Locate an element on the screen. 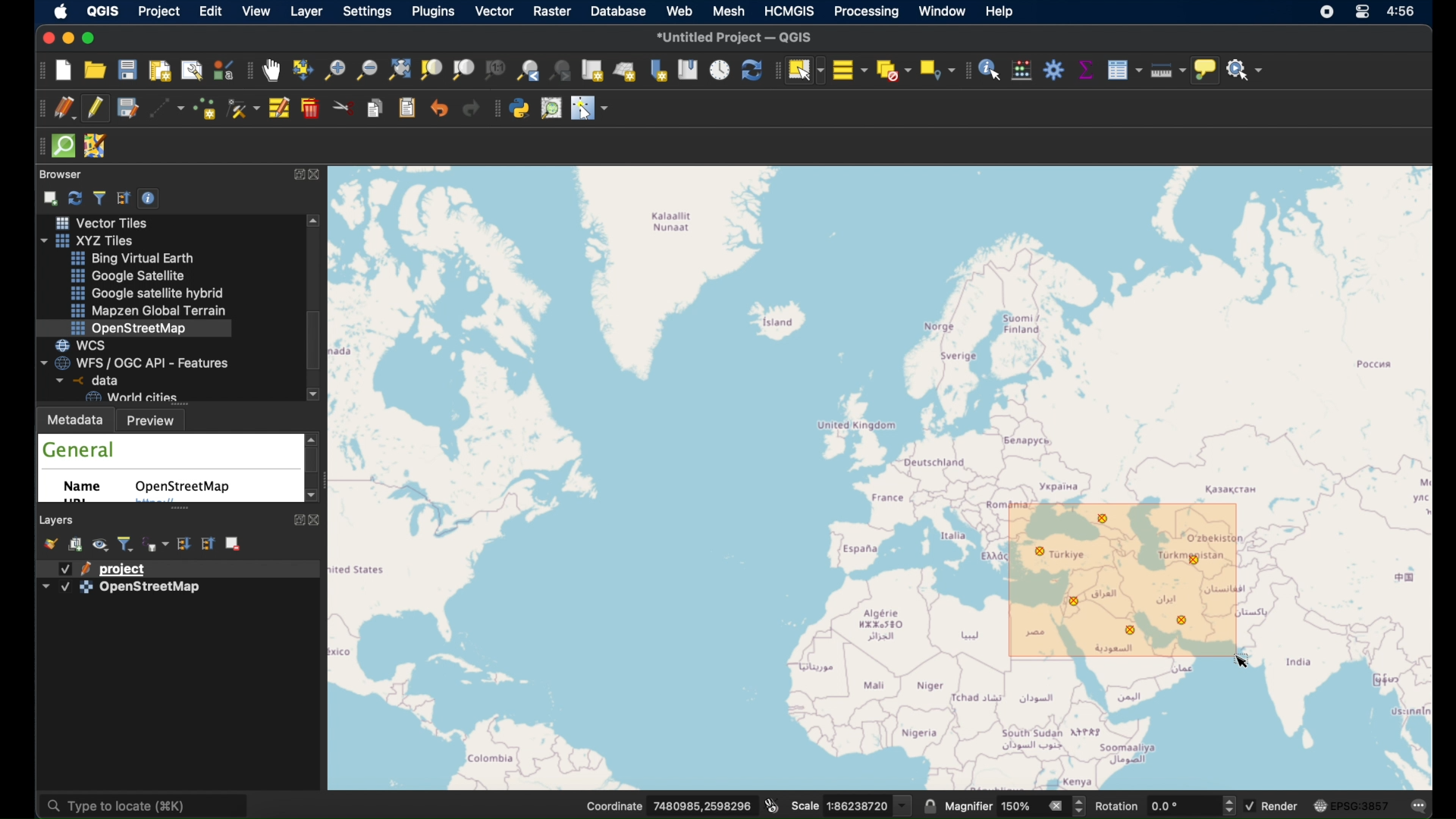 Image resolution: width=1456 pixels, height=819 pixels. statistical summary is located at coordinates (1084, 70).